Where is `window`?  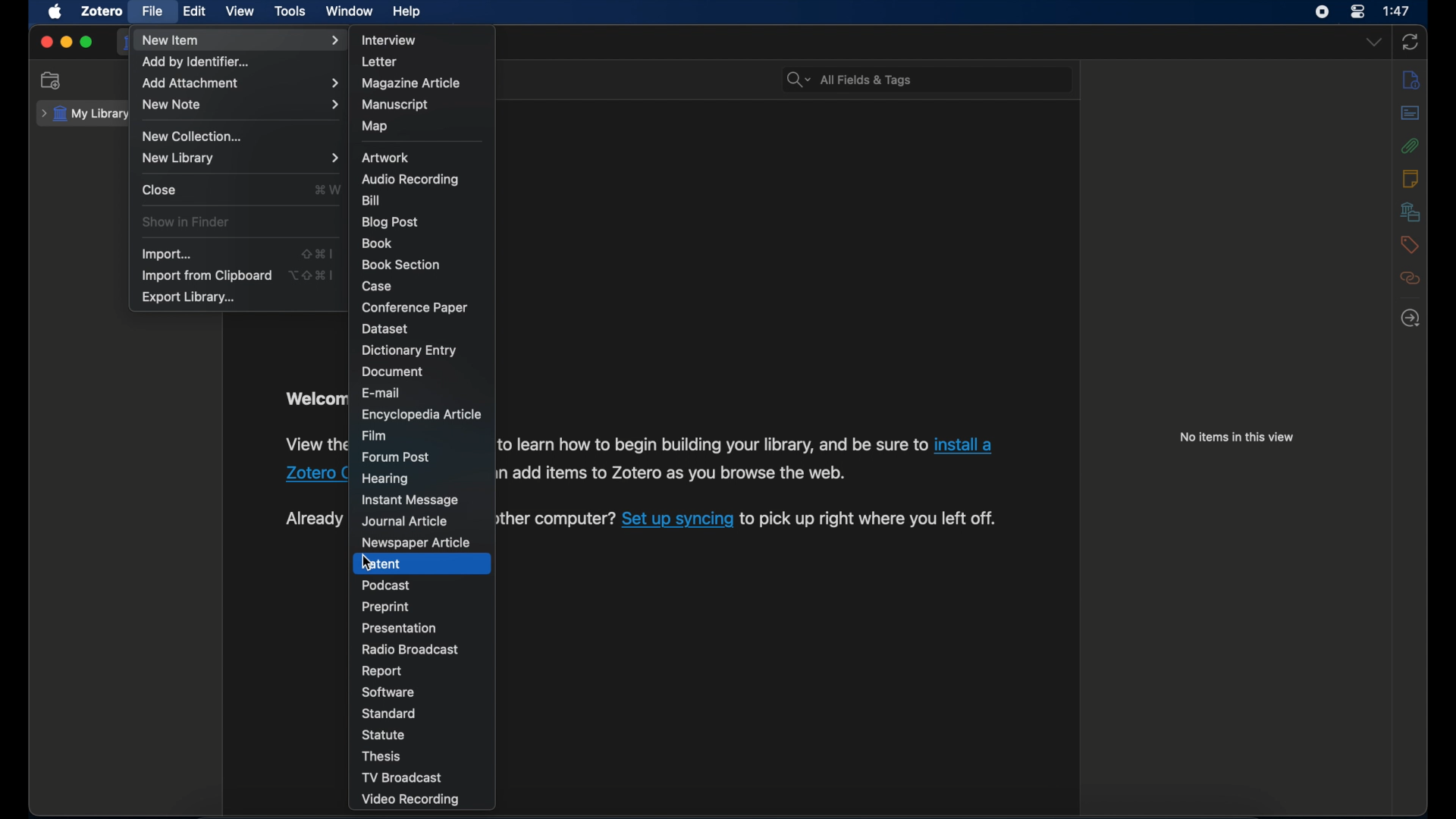 window is located at coordinates (350, 11).